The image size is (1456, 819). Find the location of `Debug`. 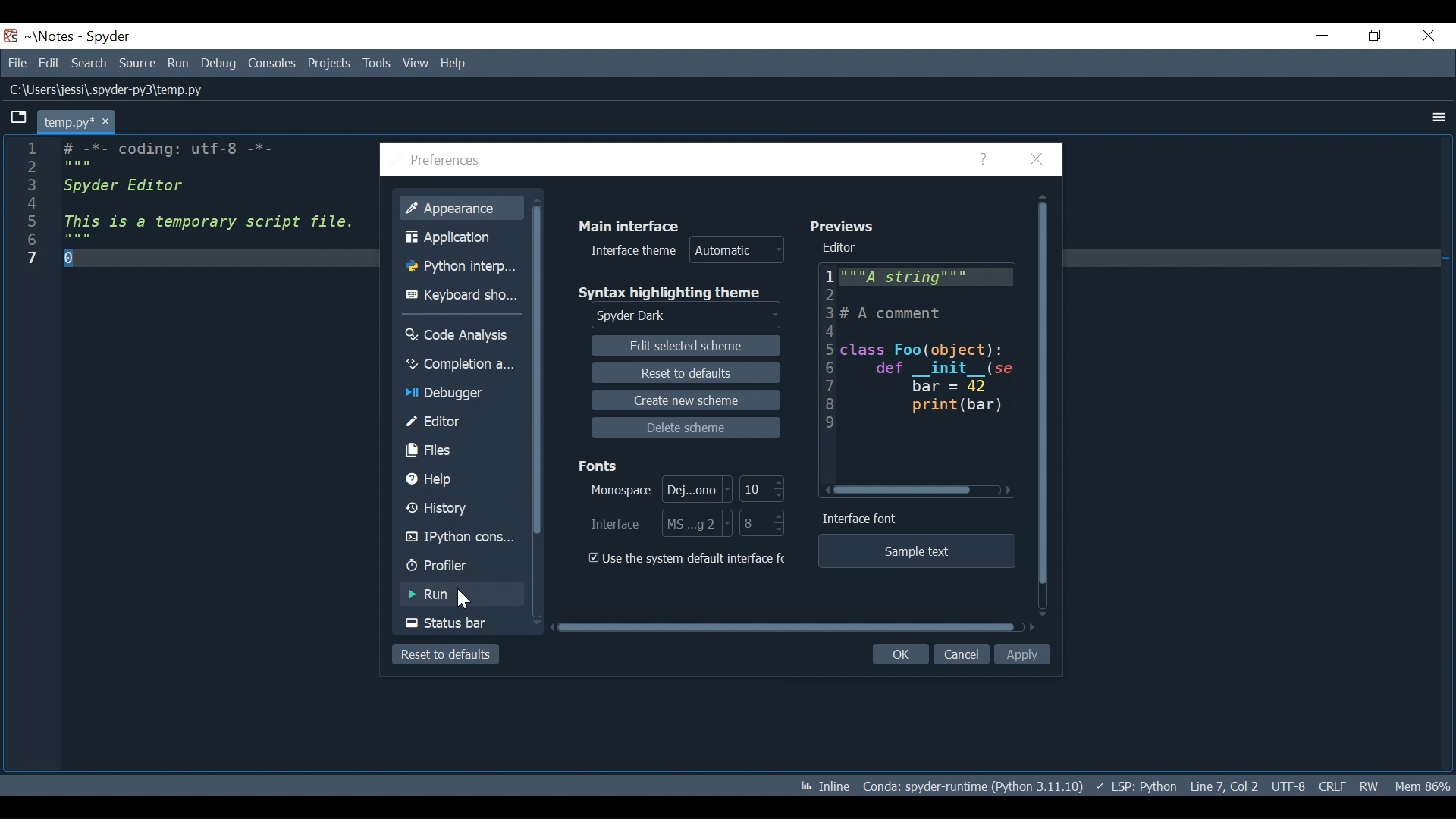

Debug is located at coordinates (218, 64).